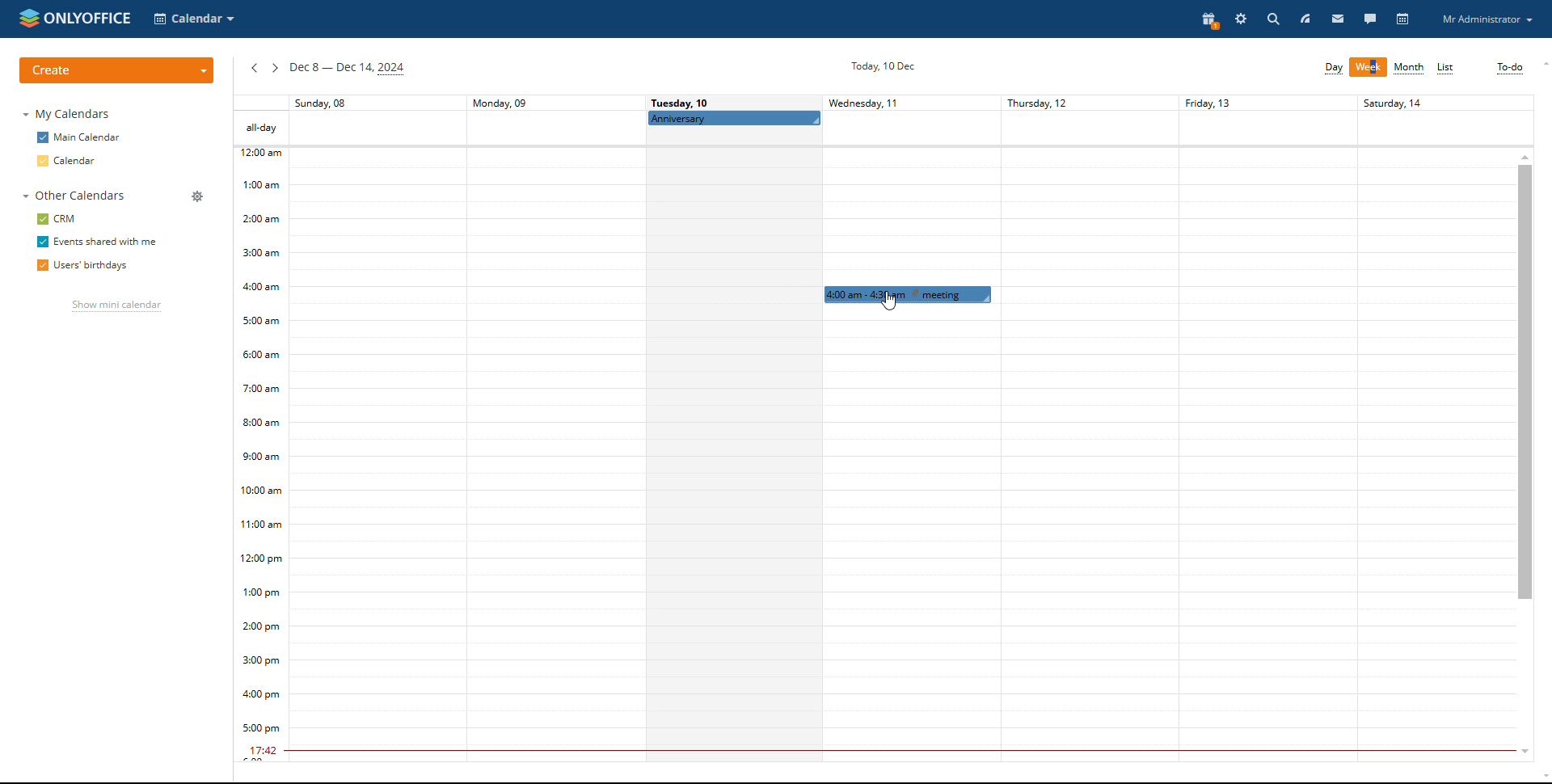 The height and width of the screenshot is (784, 1552). Describe the element at coordinates (197, 196) in the screenshot. I see `manage` at that location.